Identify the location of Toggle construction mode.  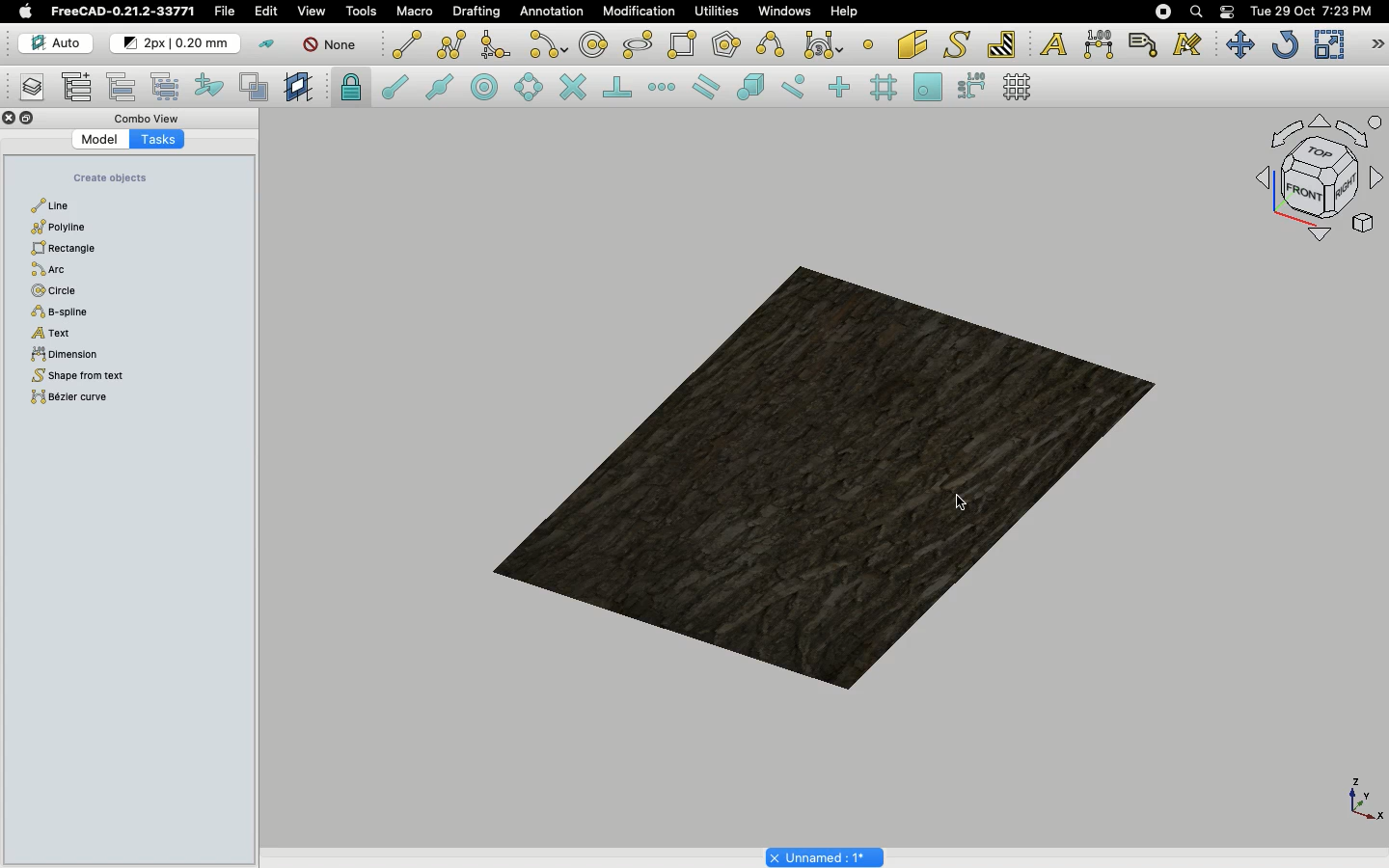
(265, 43).